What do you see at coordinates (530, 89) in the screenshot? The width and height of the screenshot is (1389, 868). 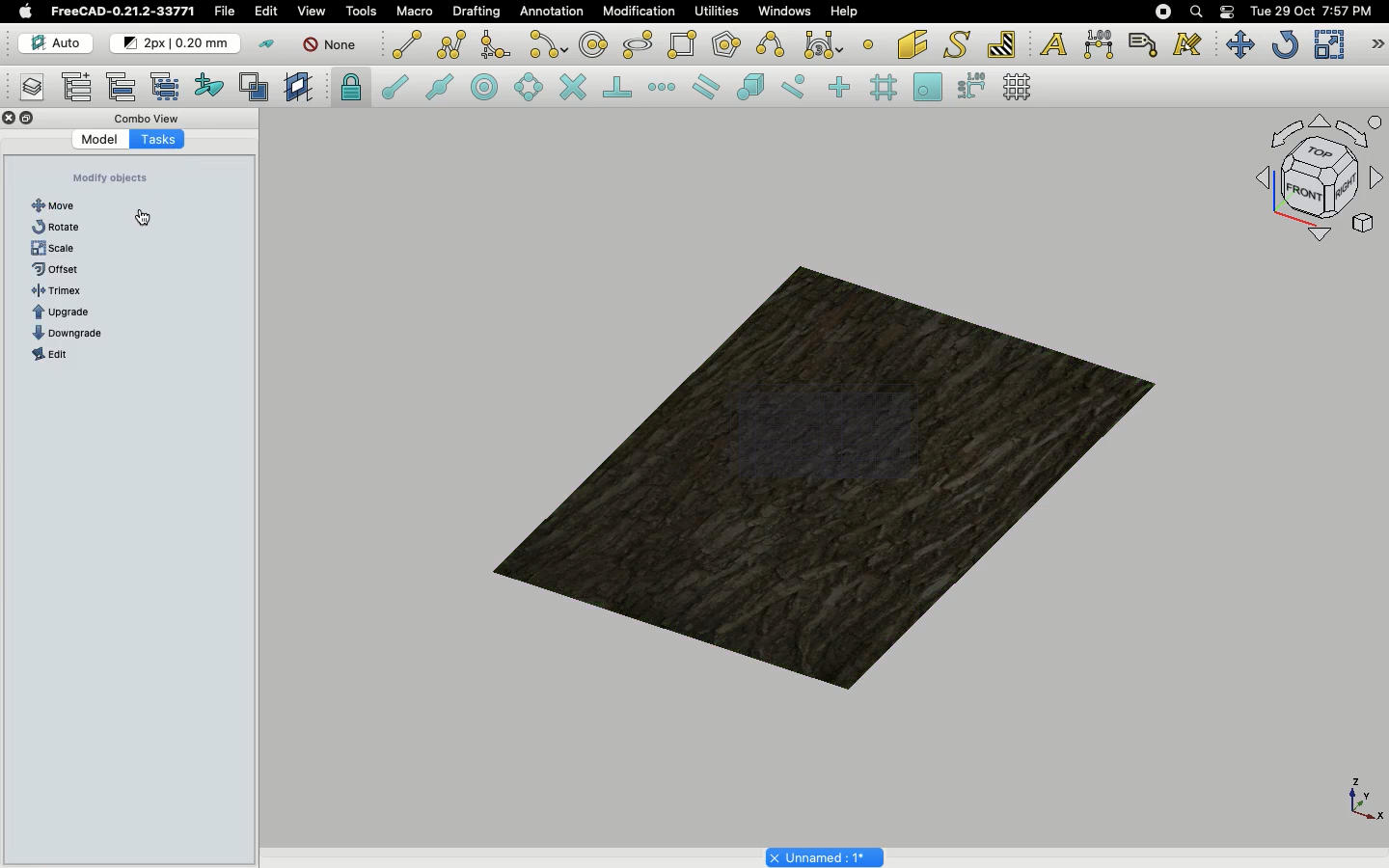 I see `Snap angle` at bounding box center [530, 89].